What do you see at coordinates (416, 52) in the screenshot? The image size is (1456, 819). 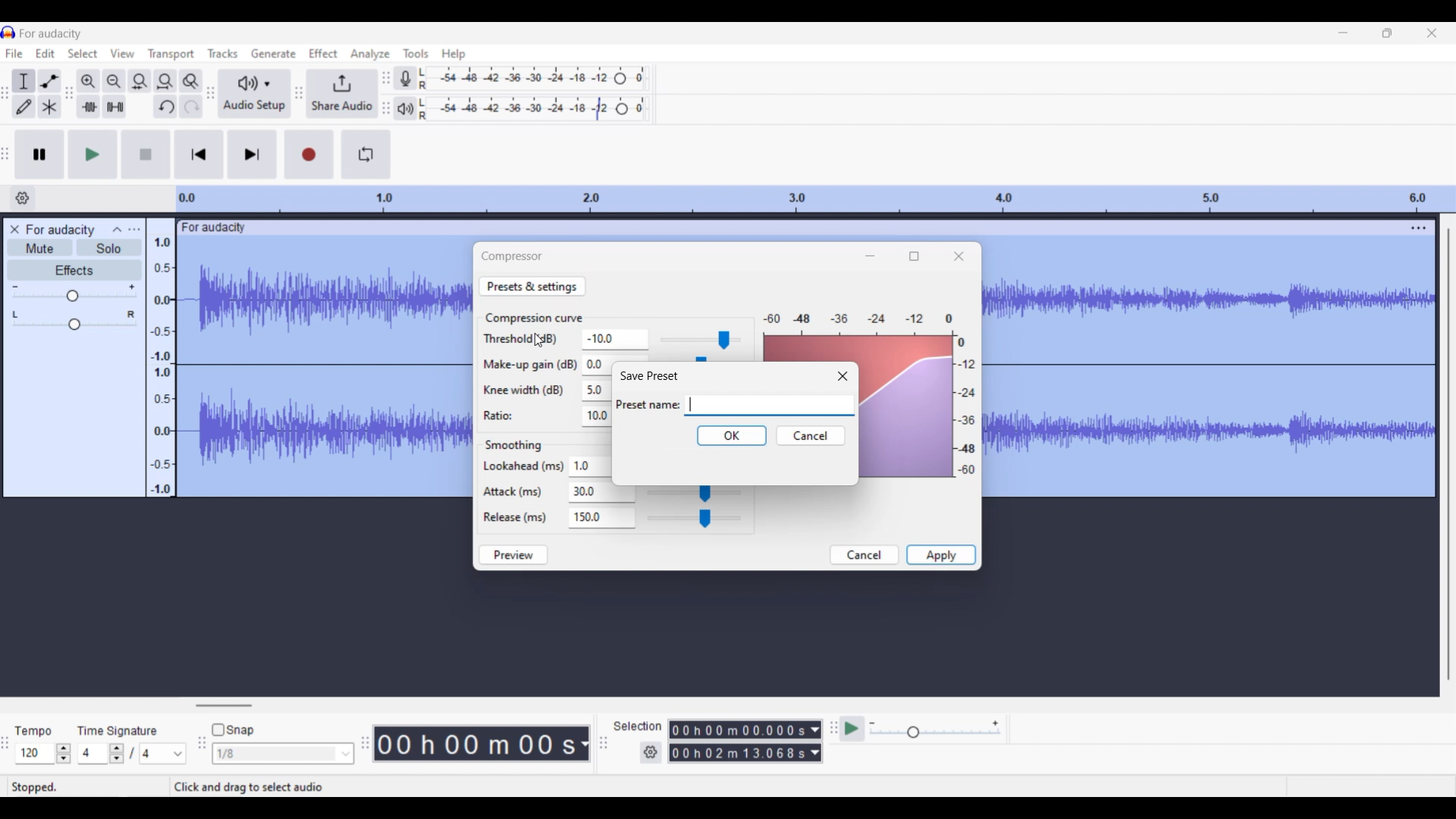 I see `Tools` at bounding box center [416, 52].